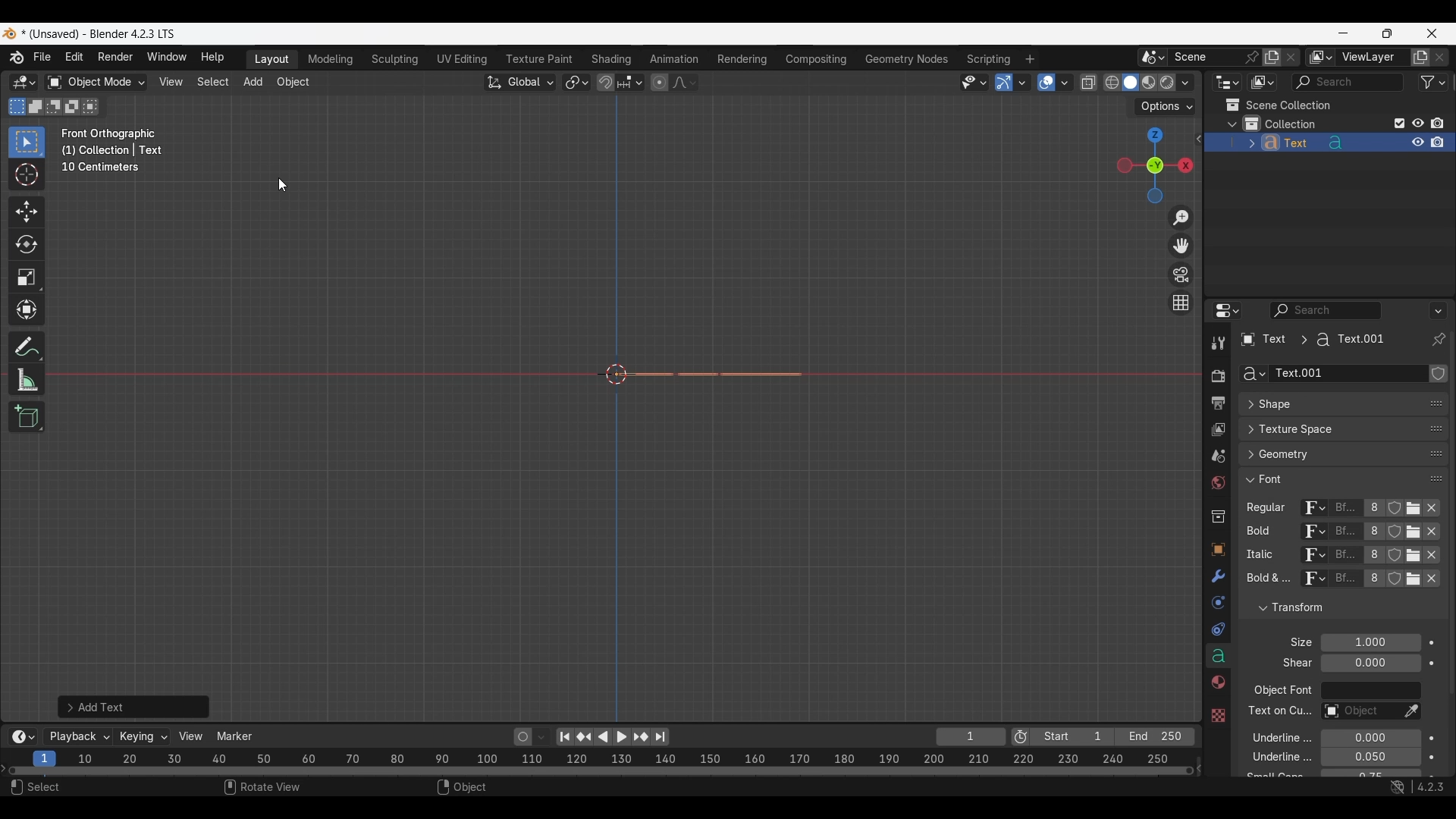 This screenshot has width=1456, height=819. Describe the element at coordinates (1374, 544) in the screenshot. I see `Display number of users of this data for respective attribute` at that location.